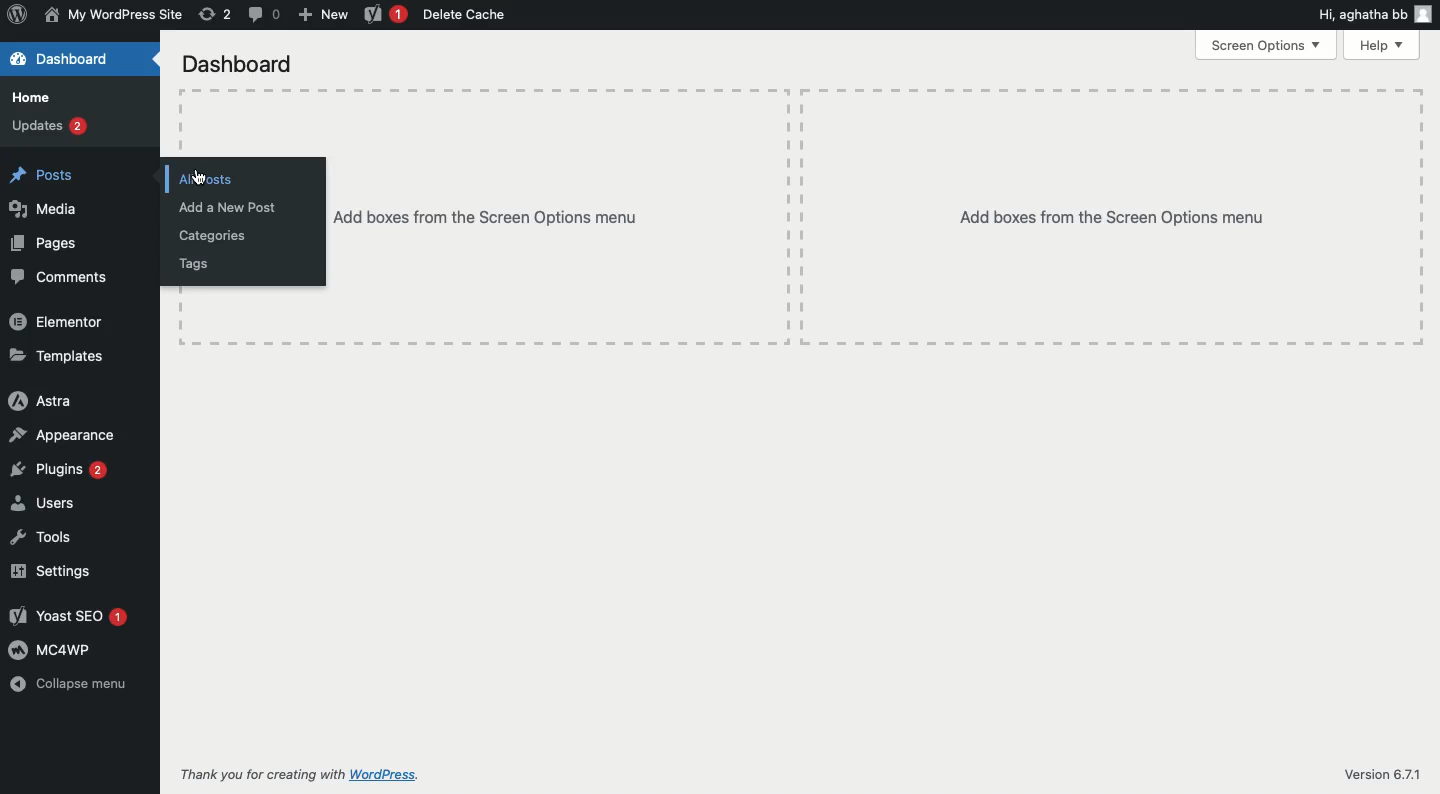 The width and height of the screenshot is (1440, 794). Describe the element at coordinates (1381, 47) in the screenshot. I see `Help` at that location.